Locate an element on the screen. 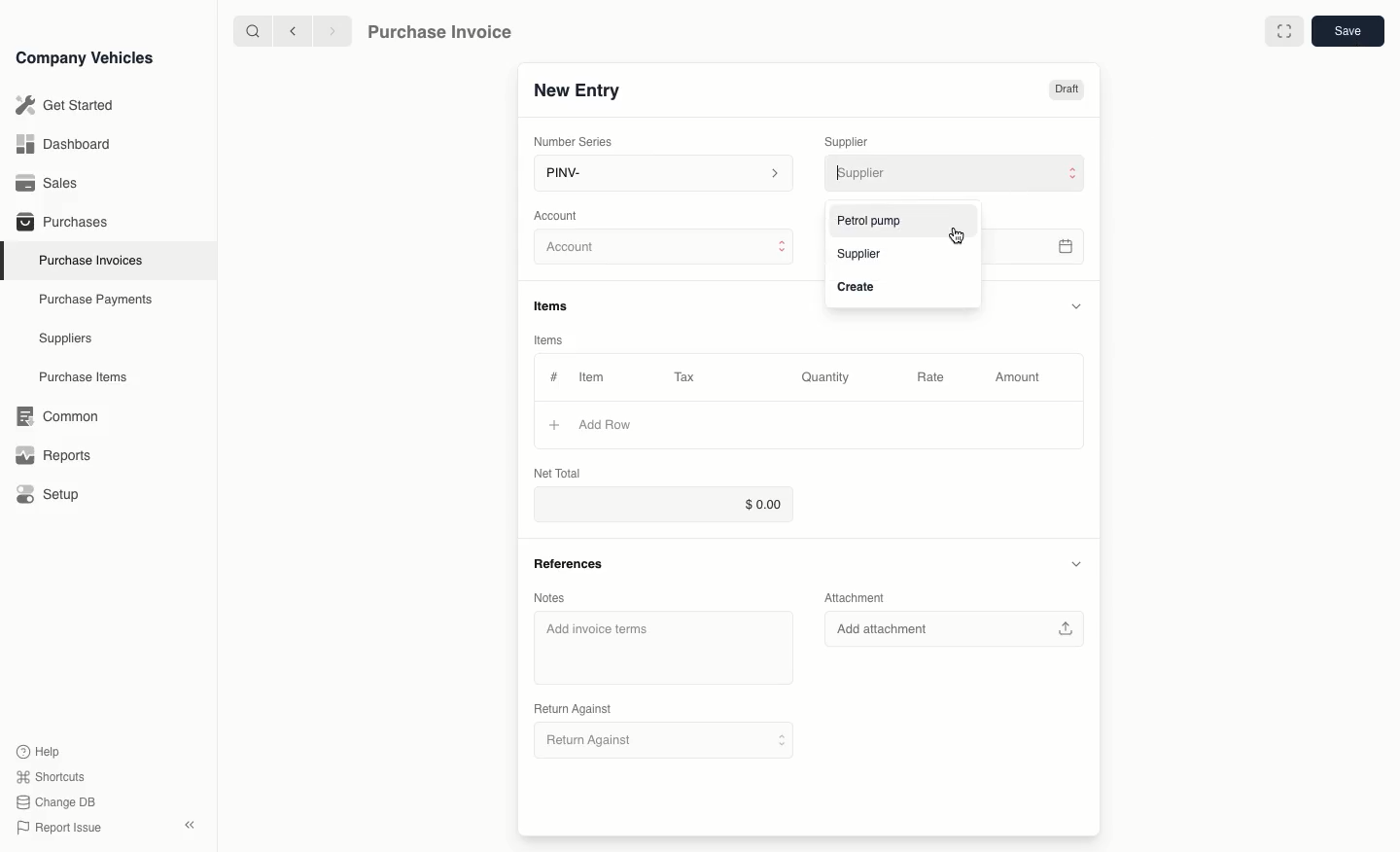 The width and height of the screenshot is (1400, 852). Purchase items is located at coordinates (76, 377).